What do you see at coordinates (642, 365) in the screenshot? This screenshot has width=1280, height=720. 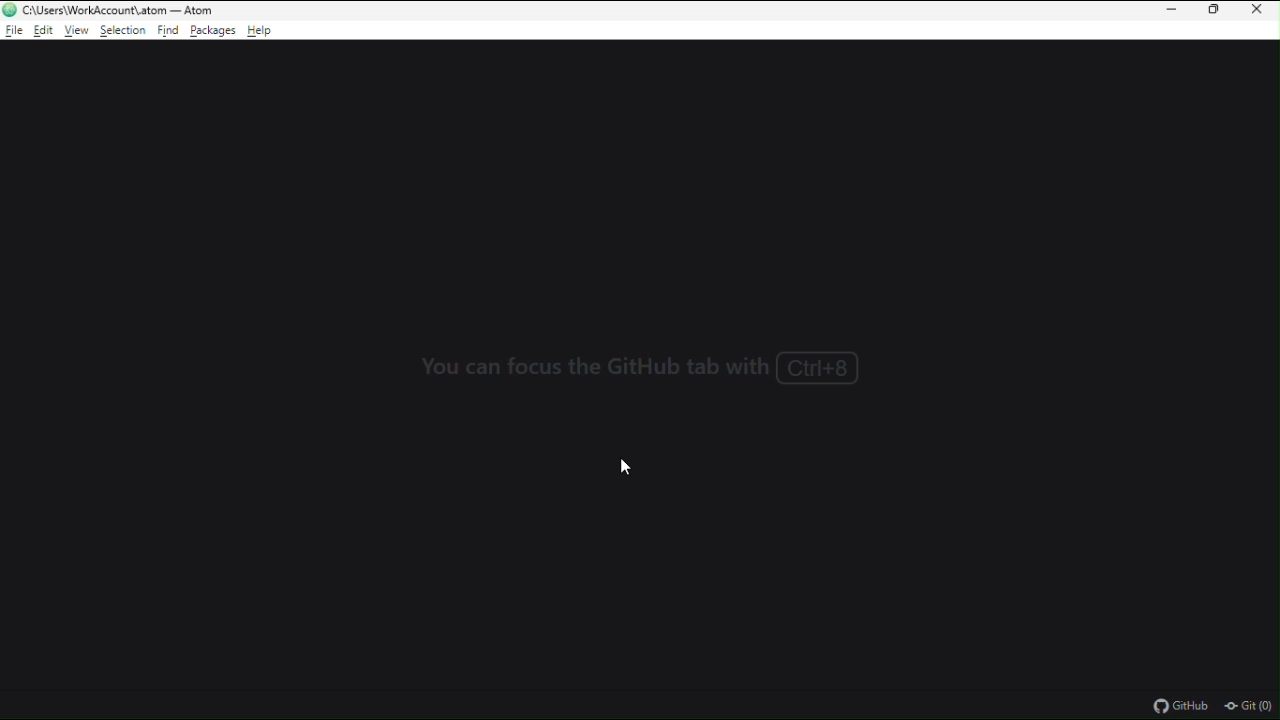 I see `You can focus the github tab with ctrl+8` at bounding box center [642, 365].